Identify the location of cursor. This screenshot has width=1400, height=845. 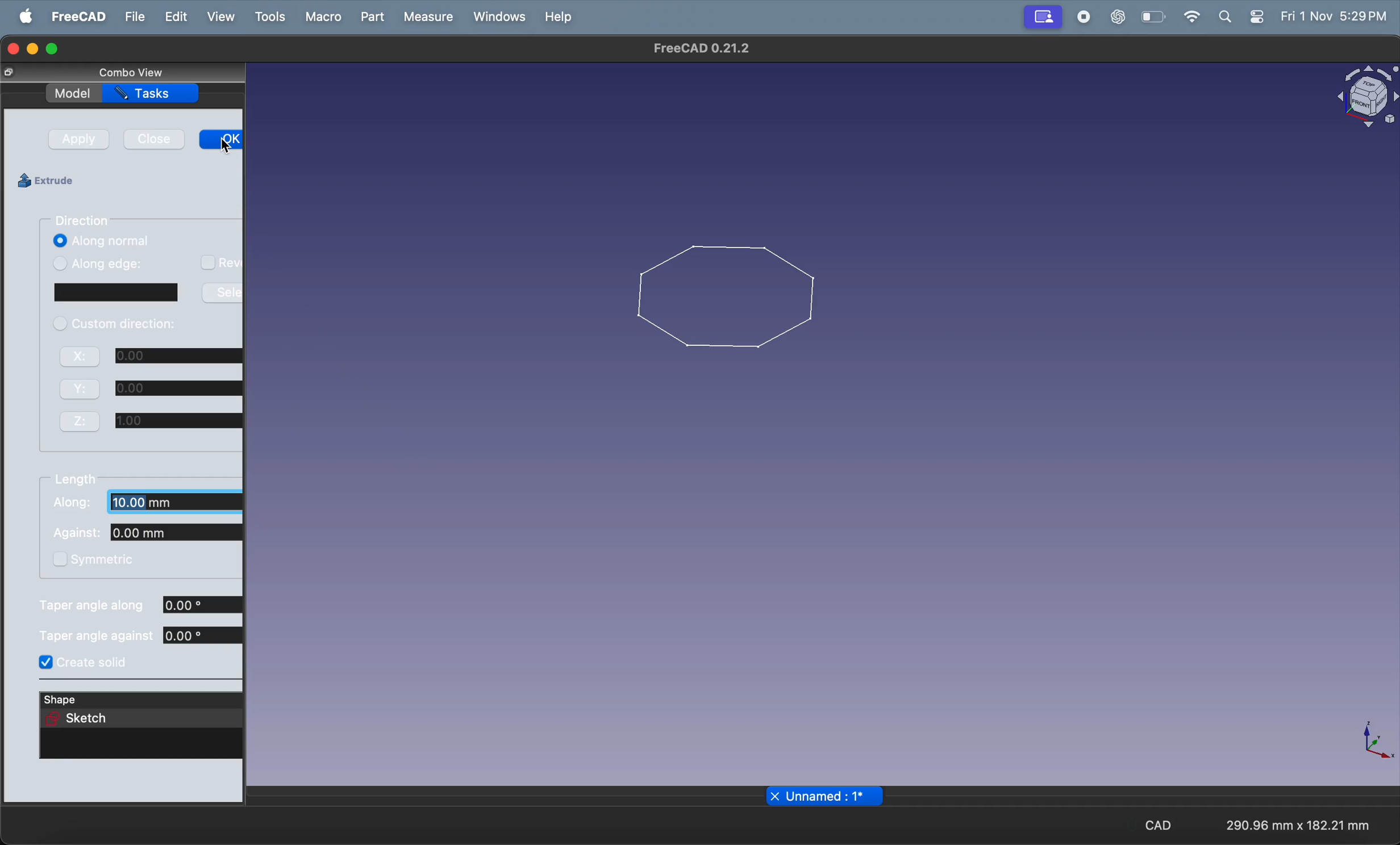
(228, 150).